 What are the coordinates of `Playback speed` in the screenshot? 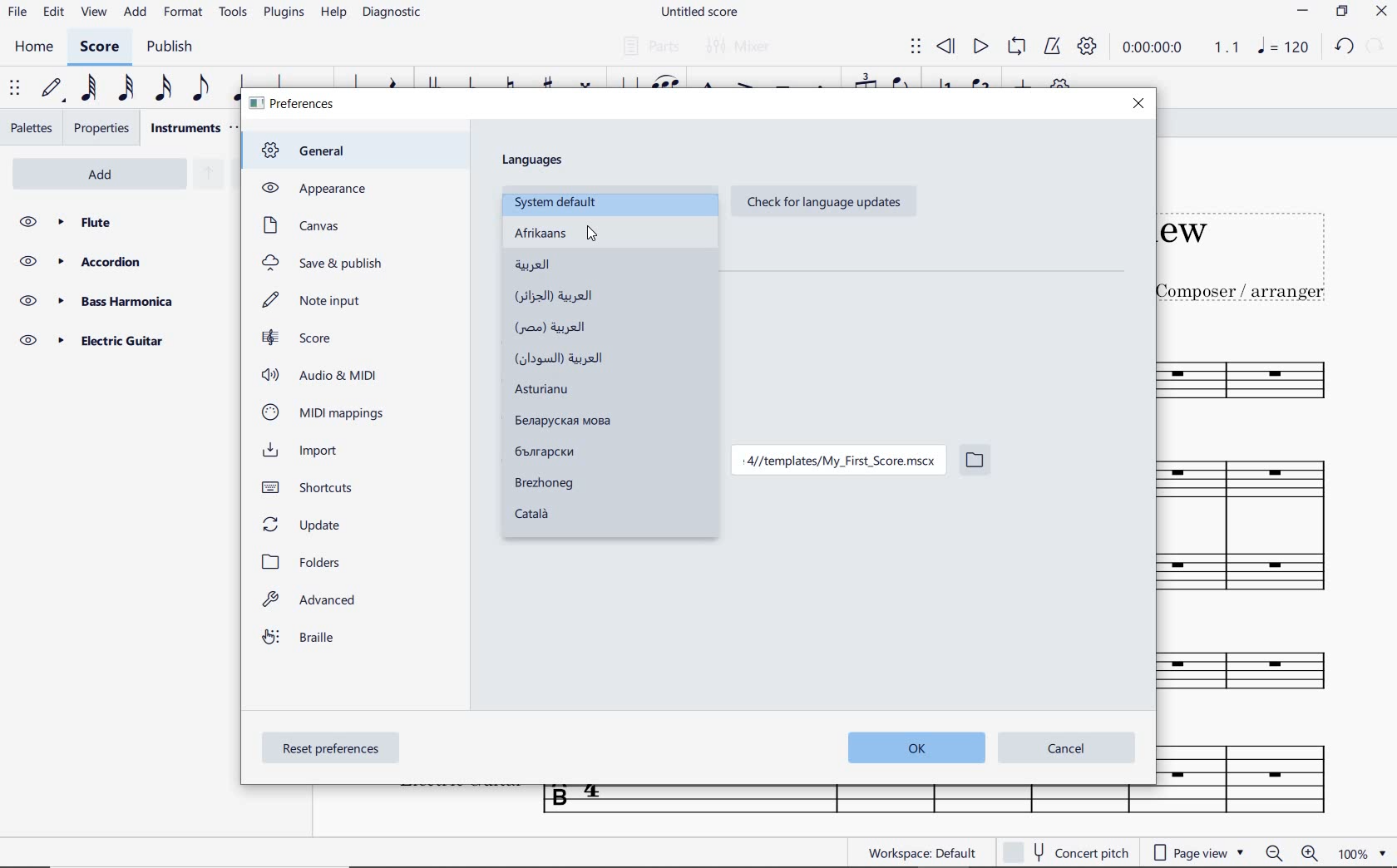 It's located at (1228, 49).